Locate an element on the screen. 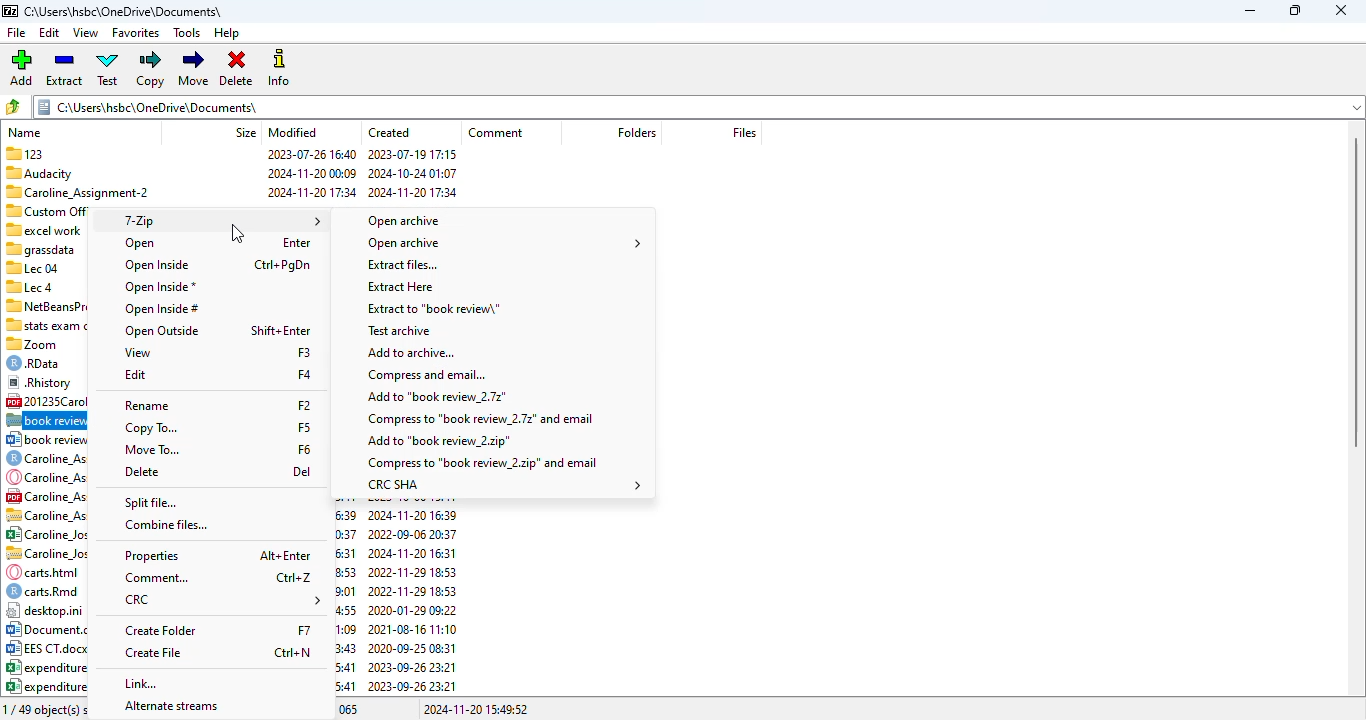 The width and height of the screenshot is (1366, 720). favorites is located at coordinates (136, 33).